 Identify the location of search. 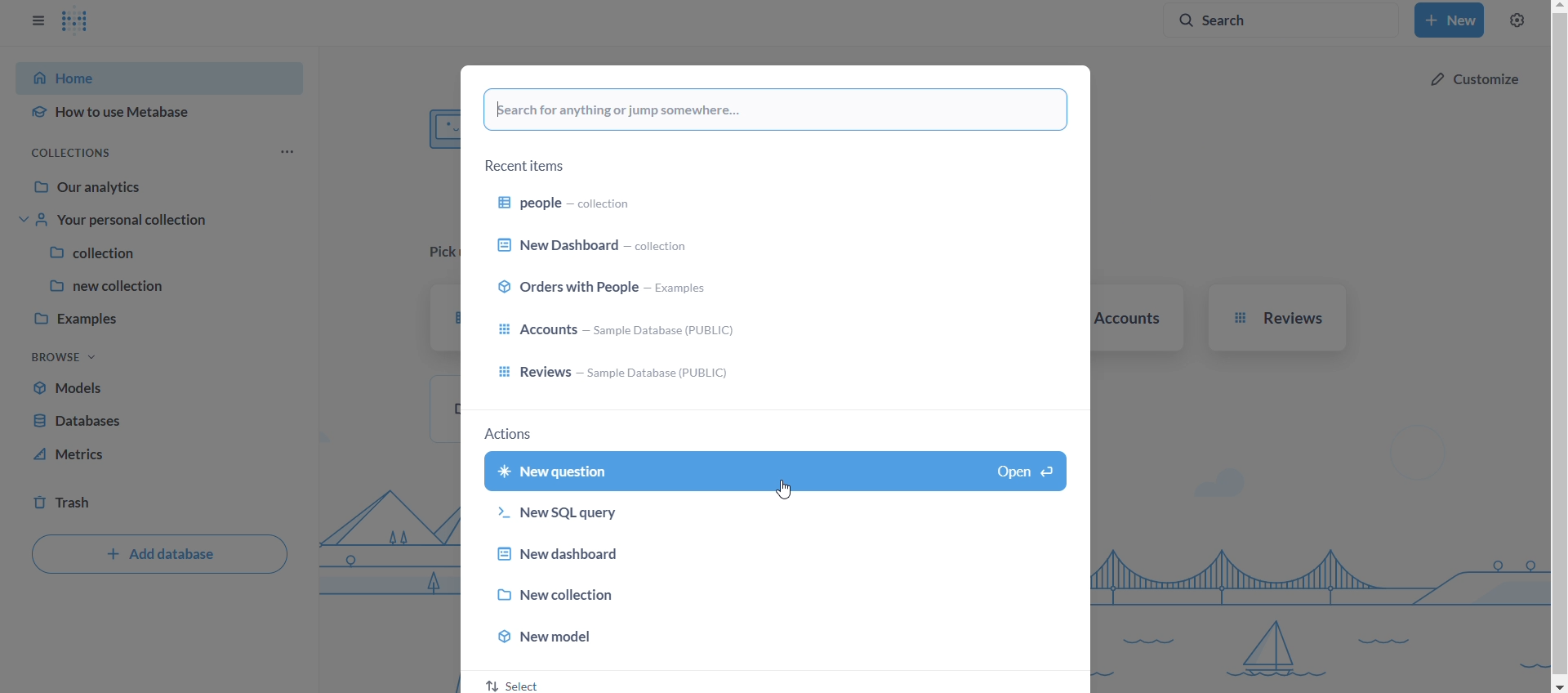
(777, 109).